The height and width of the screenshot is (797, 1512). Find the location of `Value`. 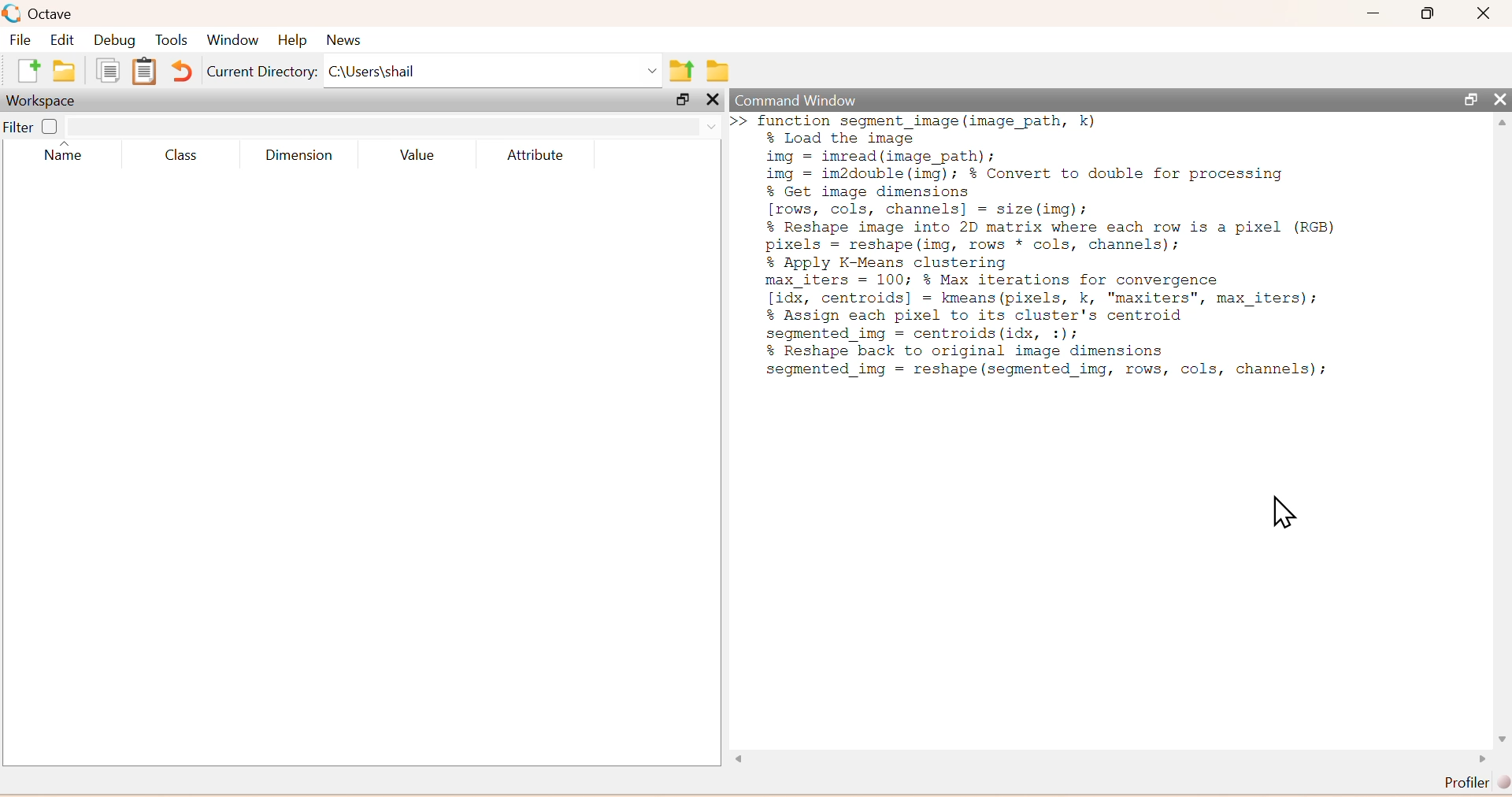

Value is located at coordinates (417, 157).